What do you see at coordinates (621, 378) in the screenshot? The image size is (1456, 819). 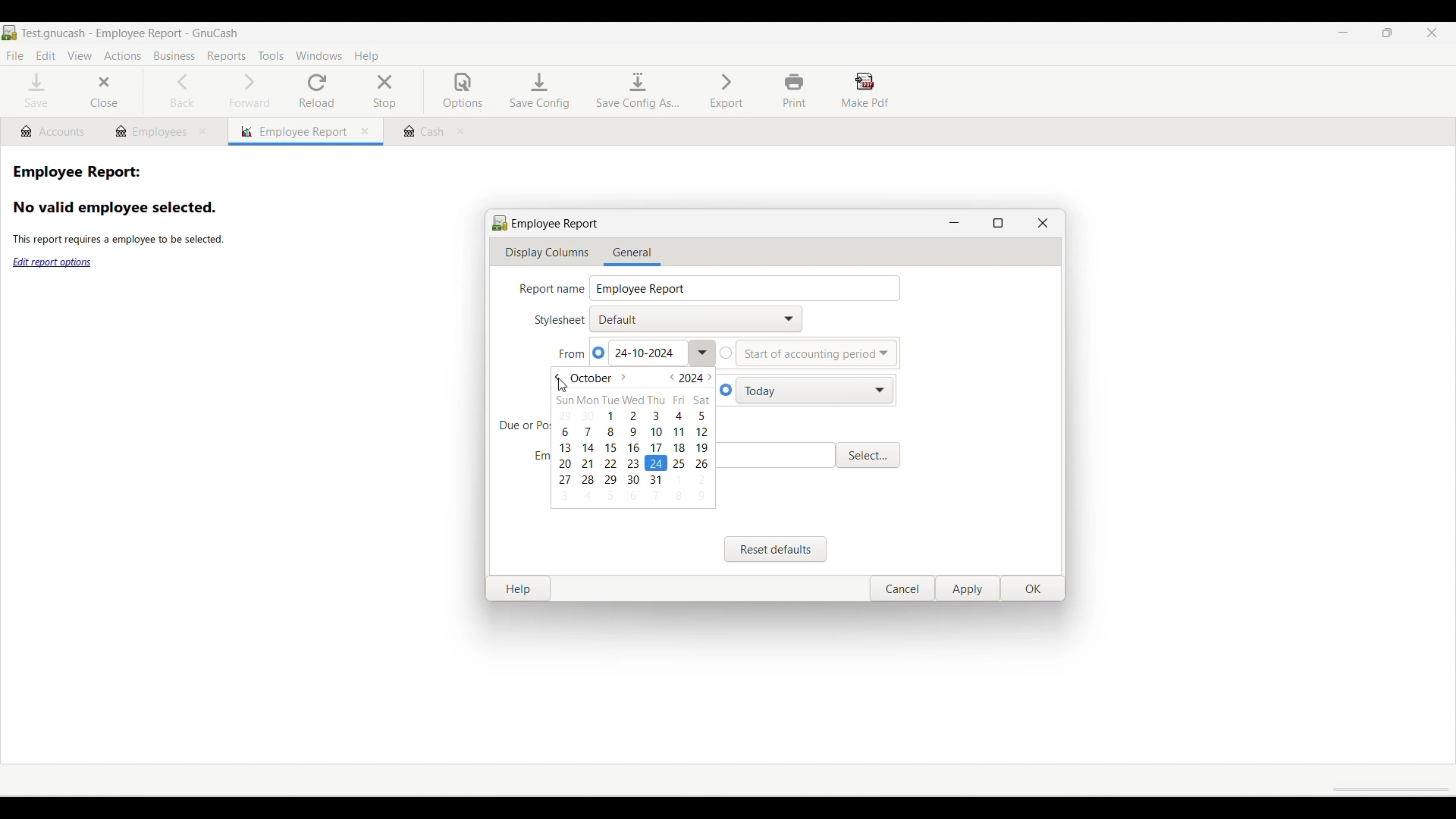 I see `Go to next month` at bounding box center [621, 378].